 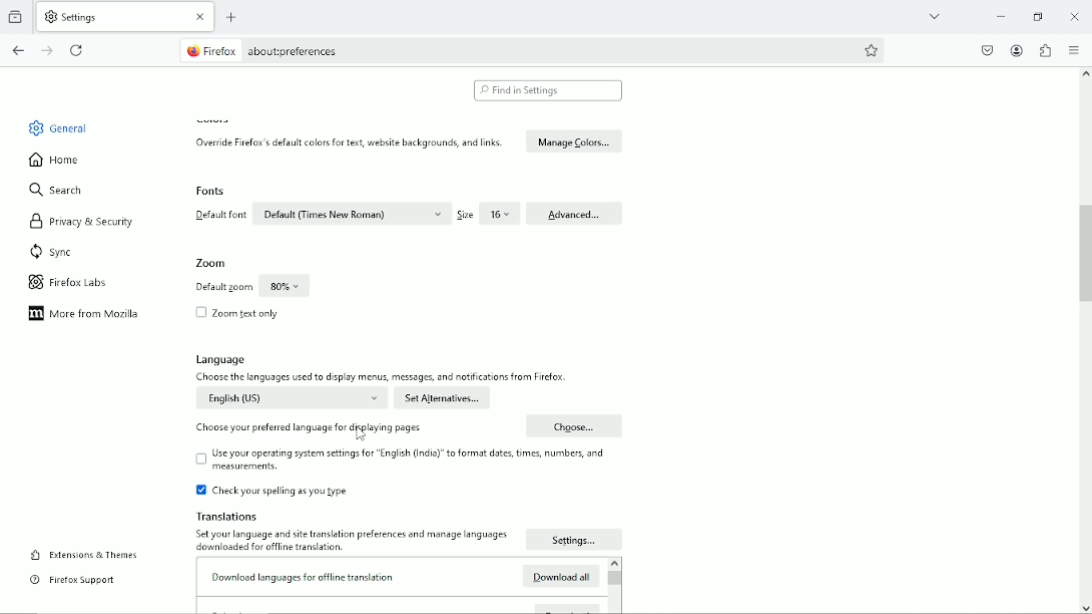 I want to click on Scroll Down, so click(x=1085, y=608).